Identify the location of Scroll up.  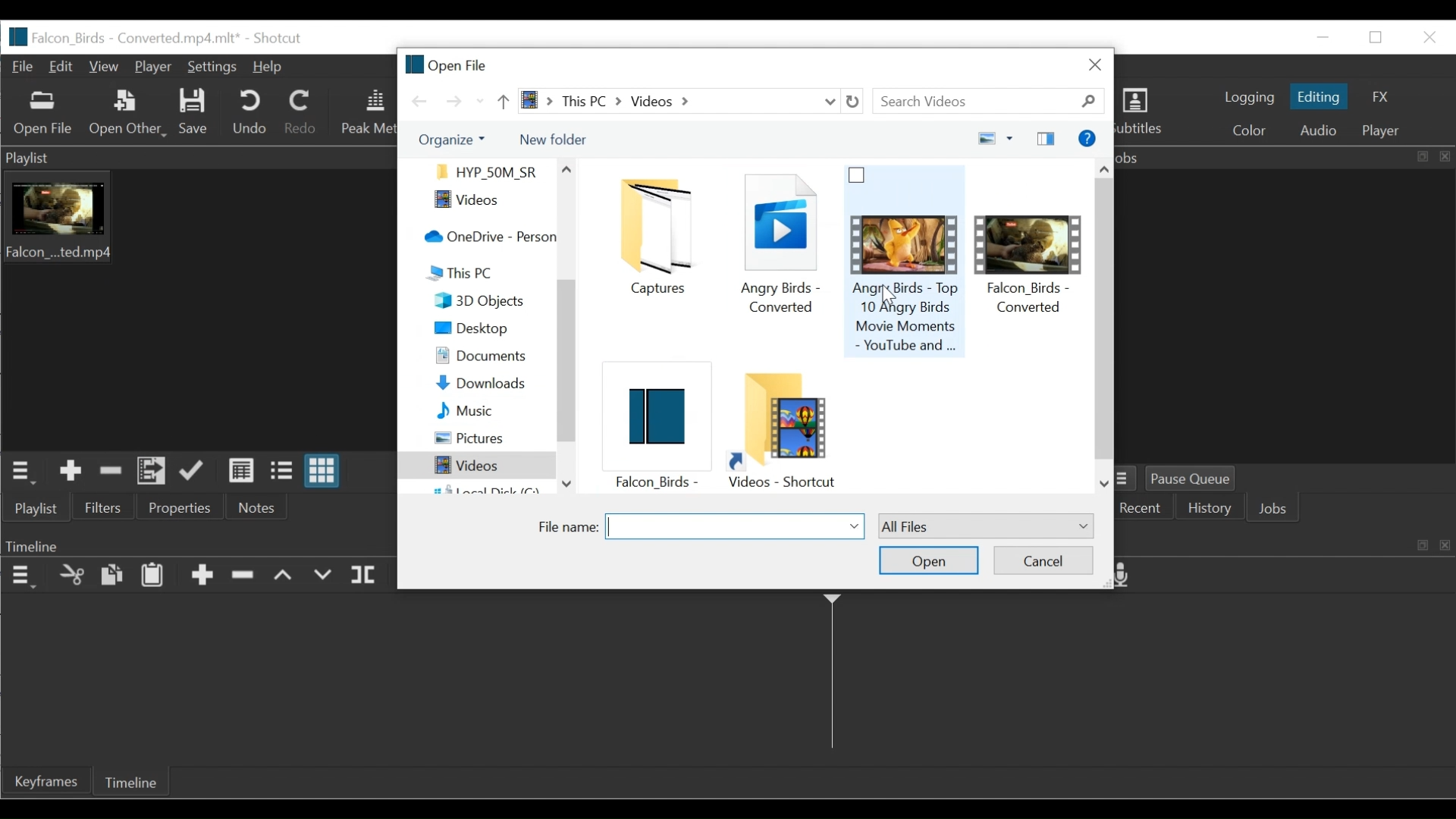
(567, 169).